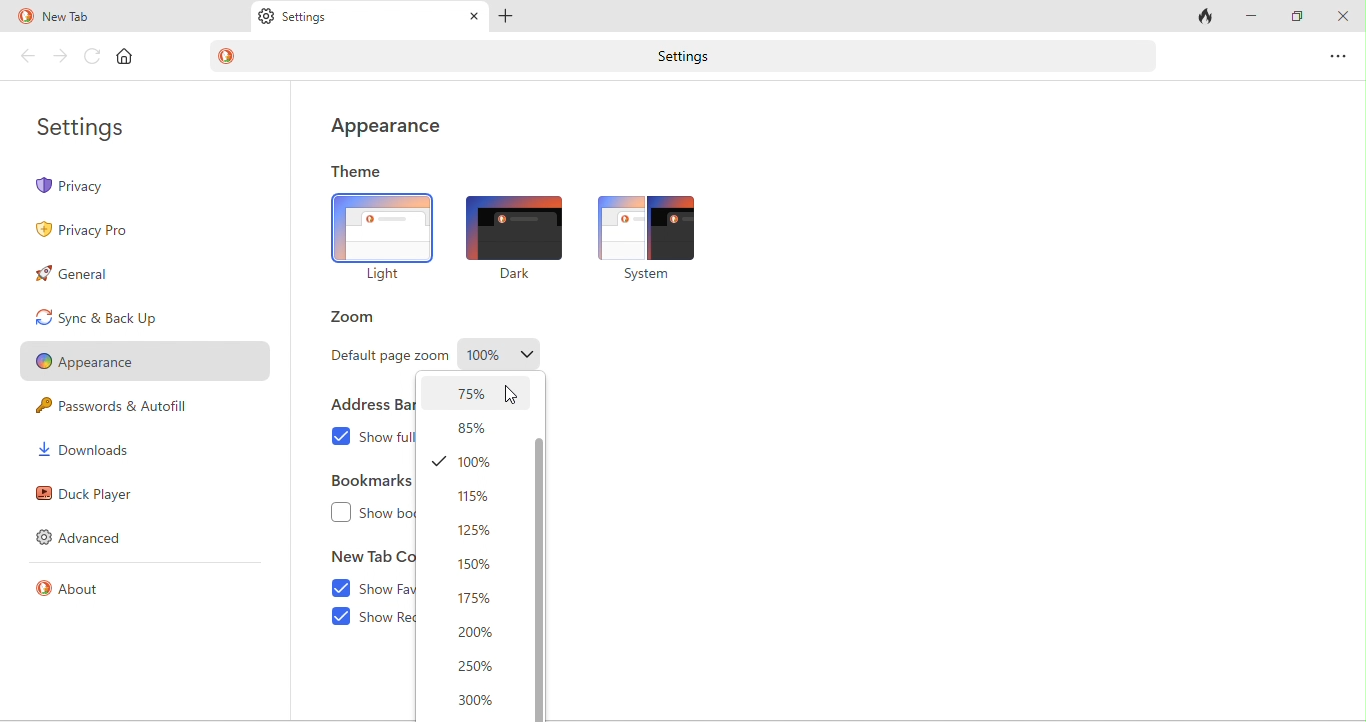  I want to click on 100%, so click(471, 462).